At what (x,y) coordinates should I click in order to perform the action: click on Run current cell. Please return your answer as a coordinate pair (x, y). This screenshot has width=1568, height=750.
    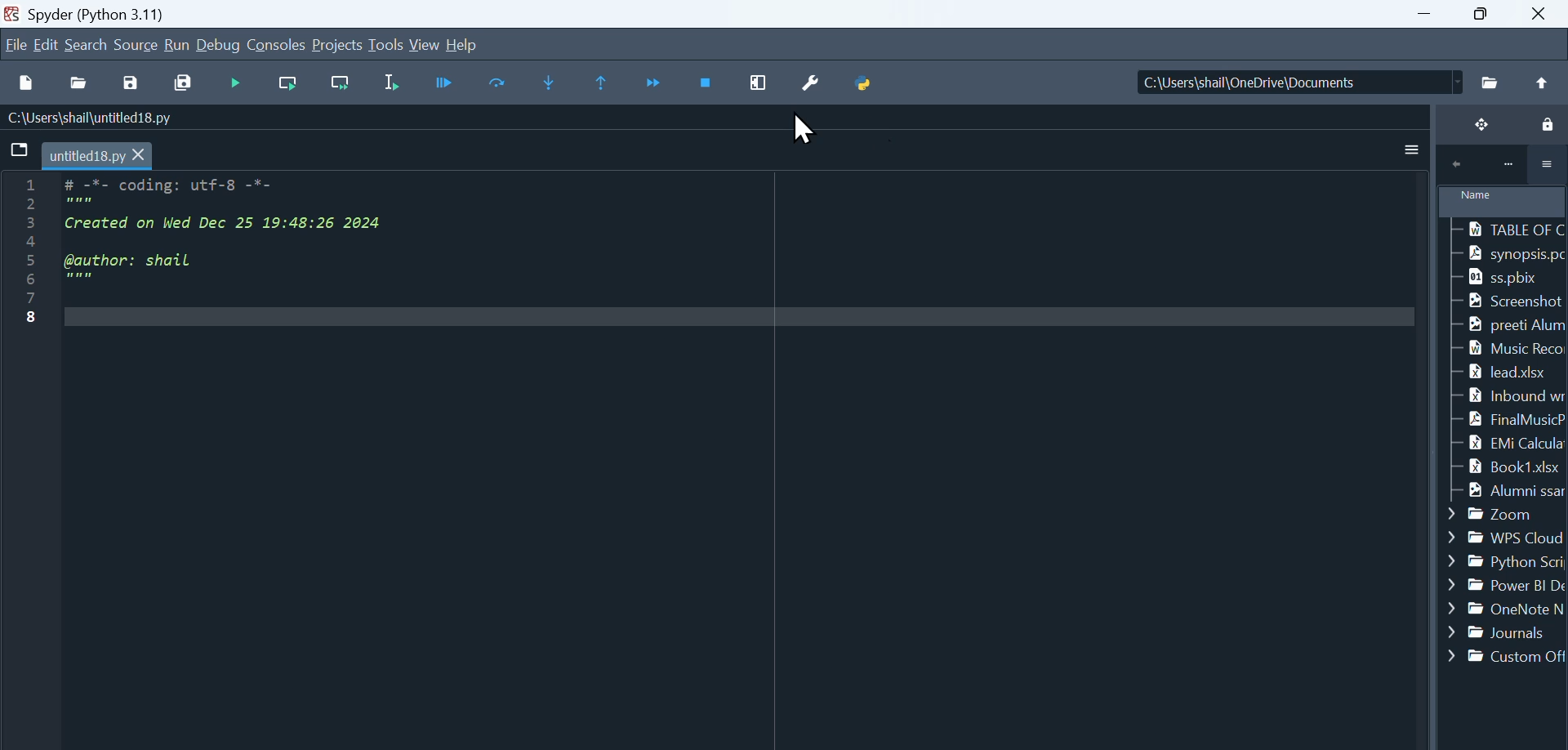
    Looking at the image, I should click on (285, 84).